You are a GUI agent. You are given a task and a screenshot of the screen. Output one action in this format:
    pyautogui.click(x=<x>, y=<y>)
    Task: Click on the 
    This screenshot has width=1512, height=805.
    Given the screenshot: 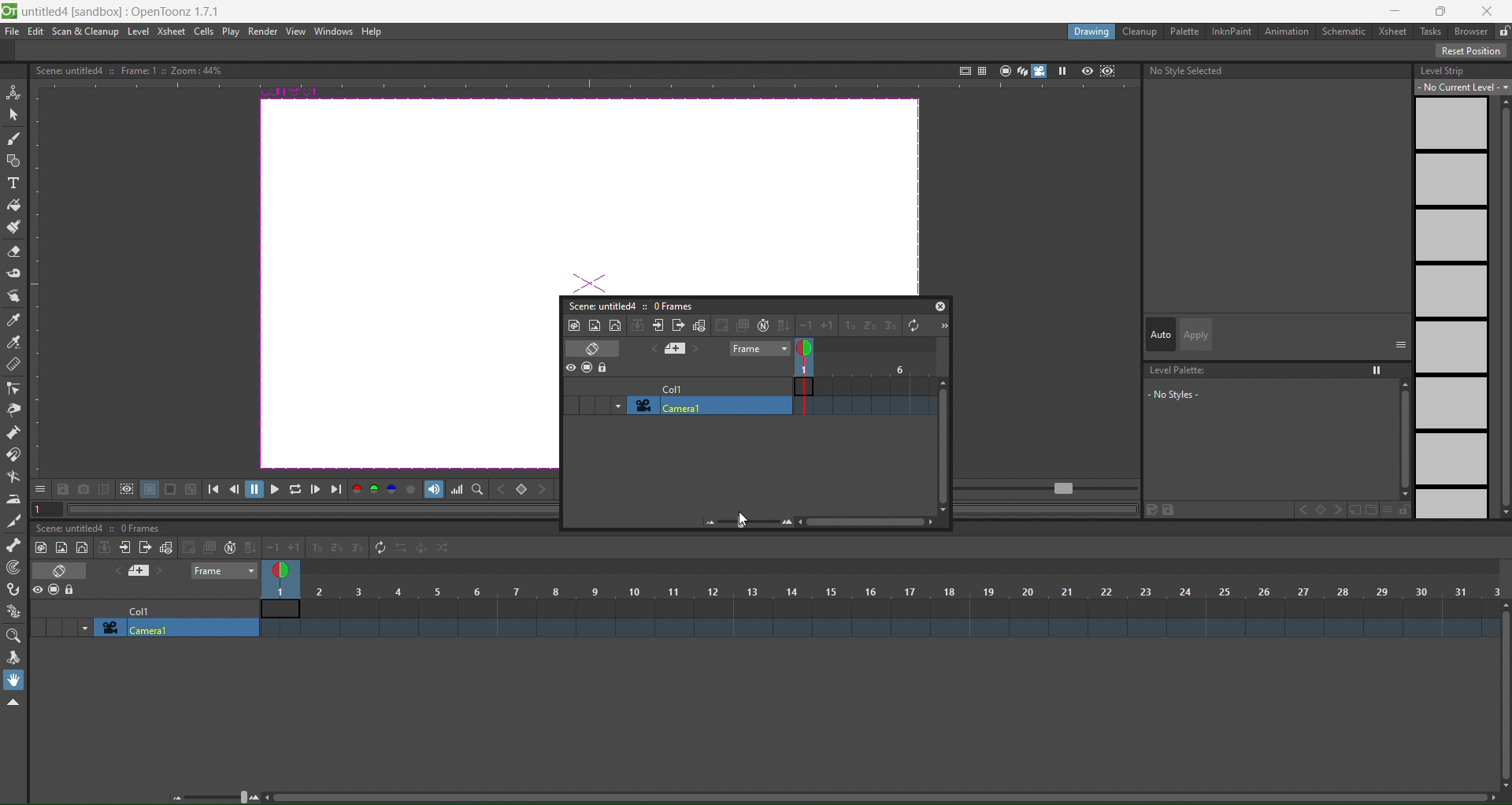 What is the action you would take?
    pyautogui.click(x=782, y=327)
    